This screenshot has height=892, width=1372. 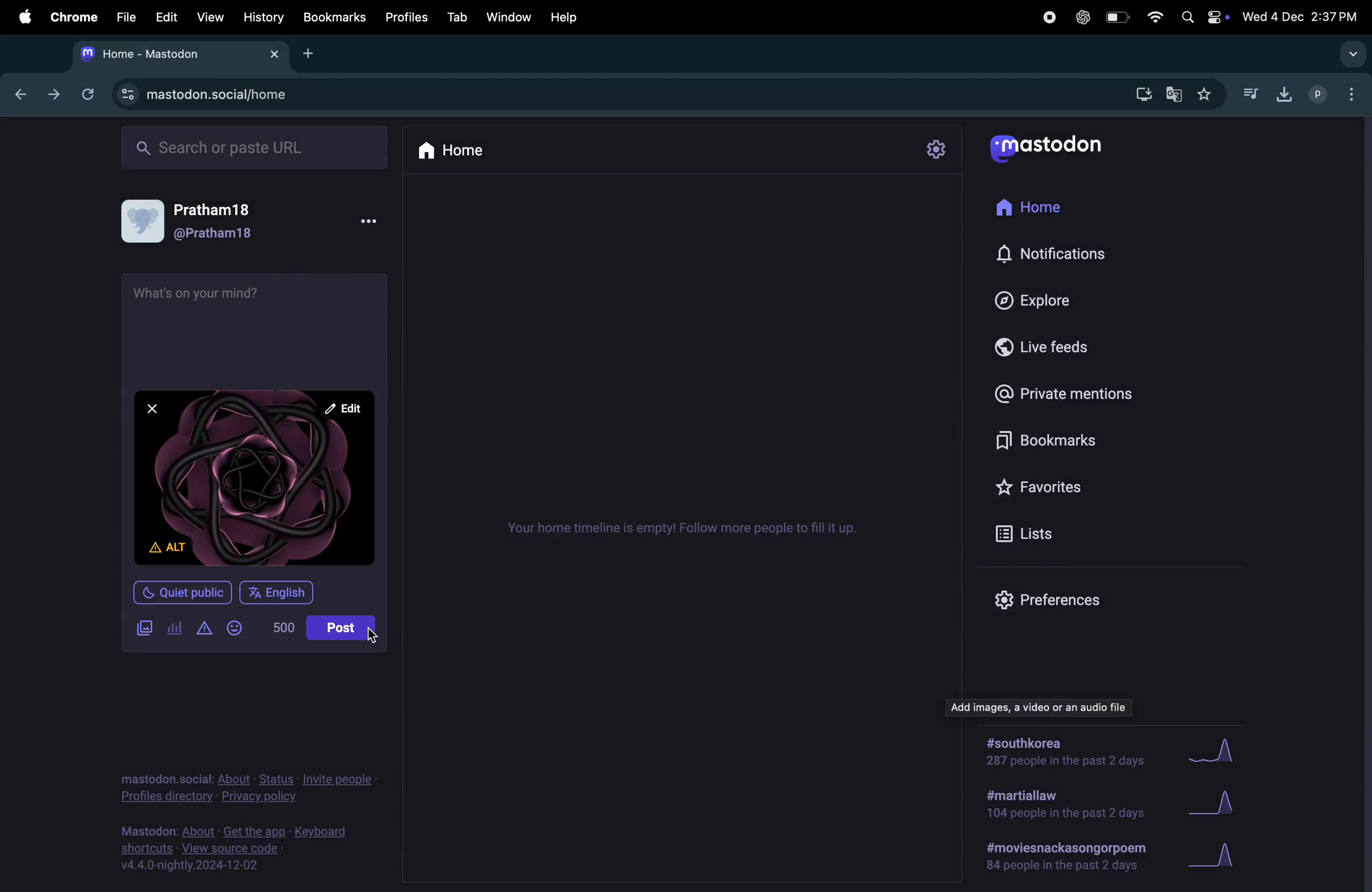 I want to click on image, so click(x=256, y=482).